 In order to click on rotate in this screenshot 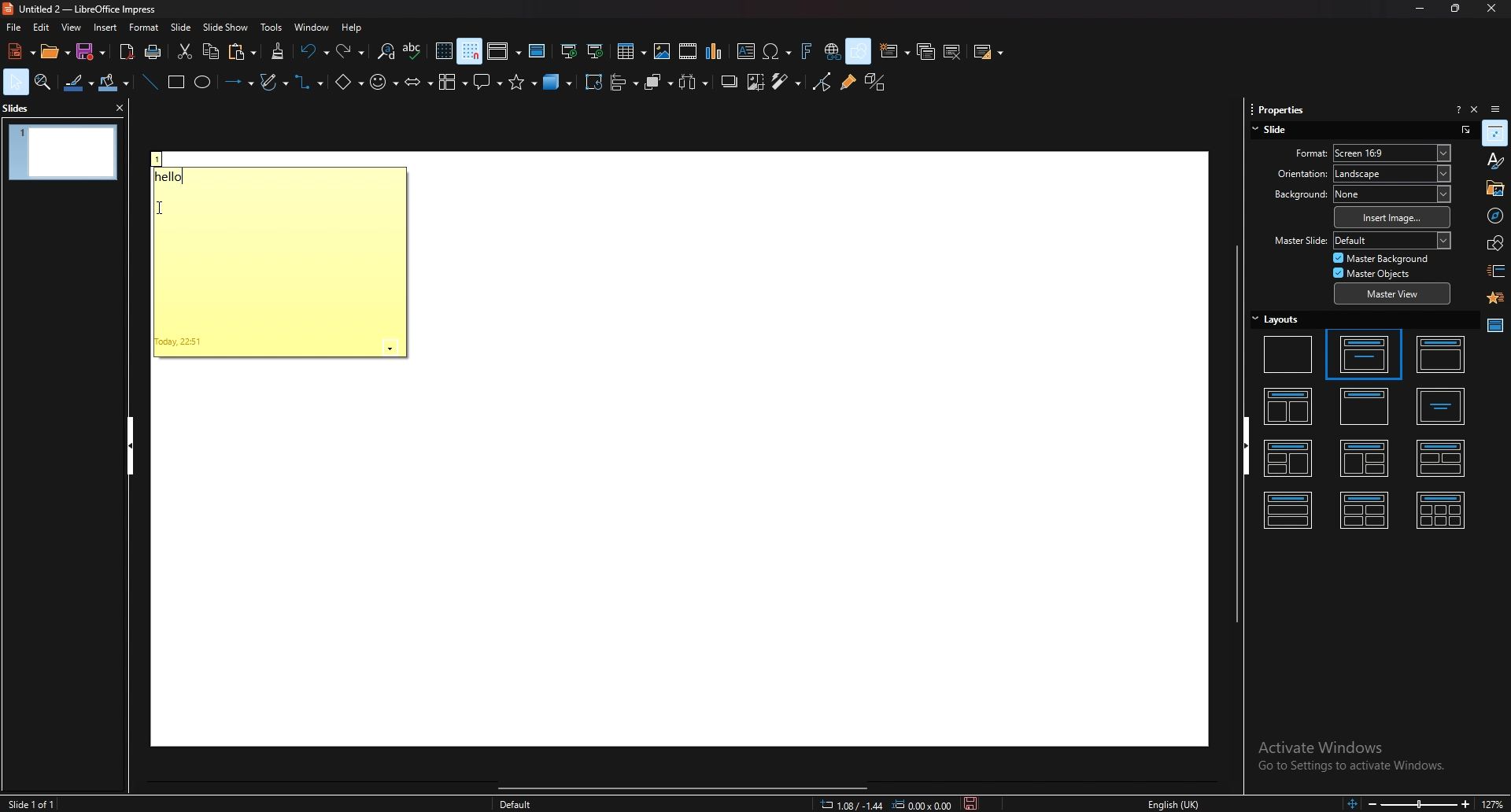, I will do `click(593, 83)`.